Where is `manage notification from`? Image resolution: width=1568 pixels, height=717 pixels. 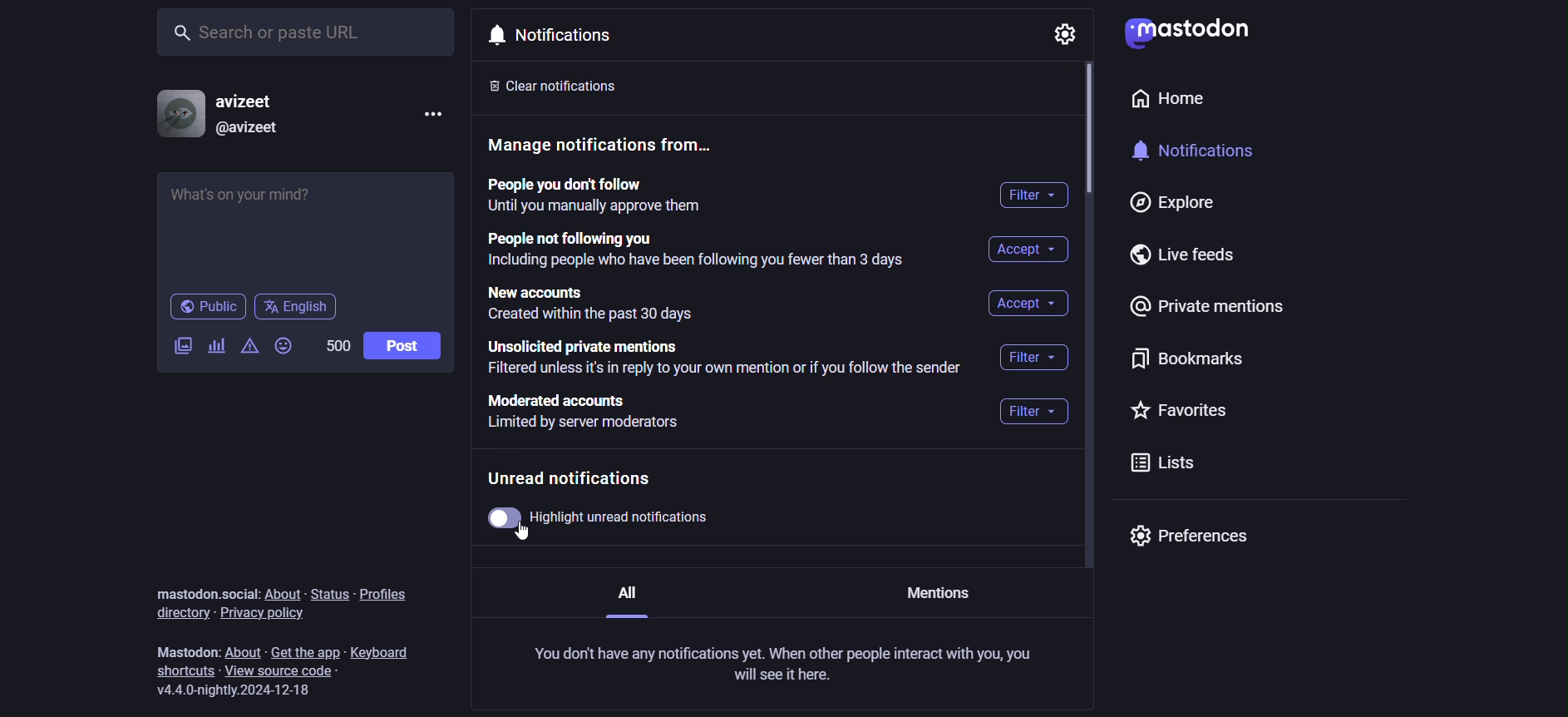 manage notification from is located at coordinates (616, 147).